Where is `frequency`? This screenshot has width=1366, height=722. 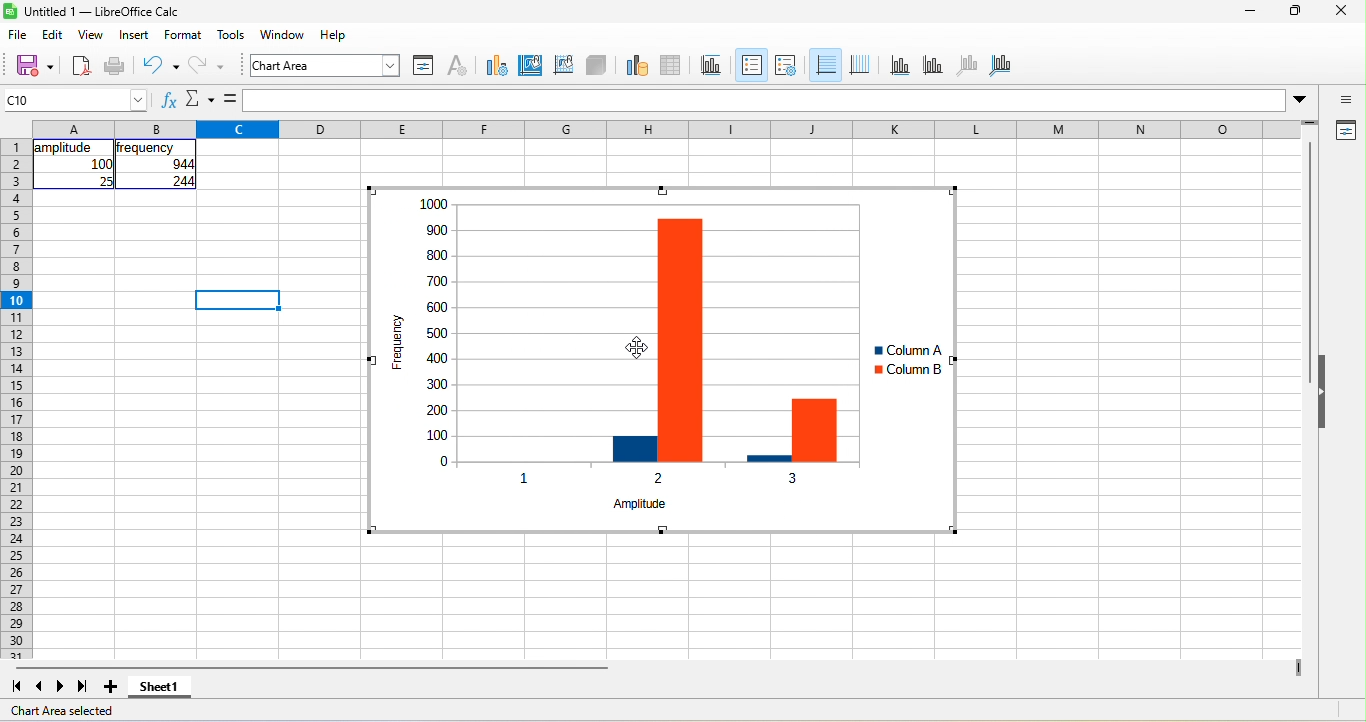
frequency is located at coordinates (145, 148).